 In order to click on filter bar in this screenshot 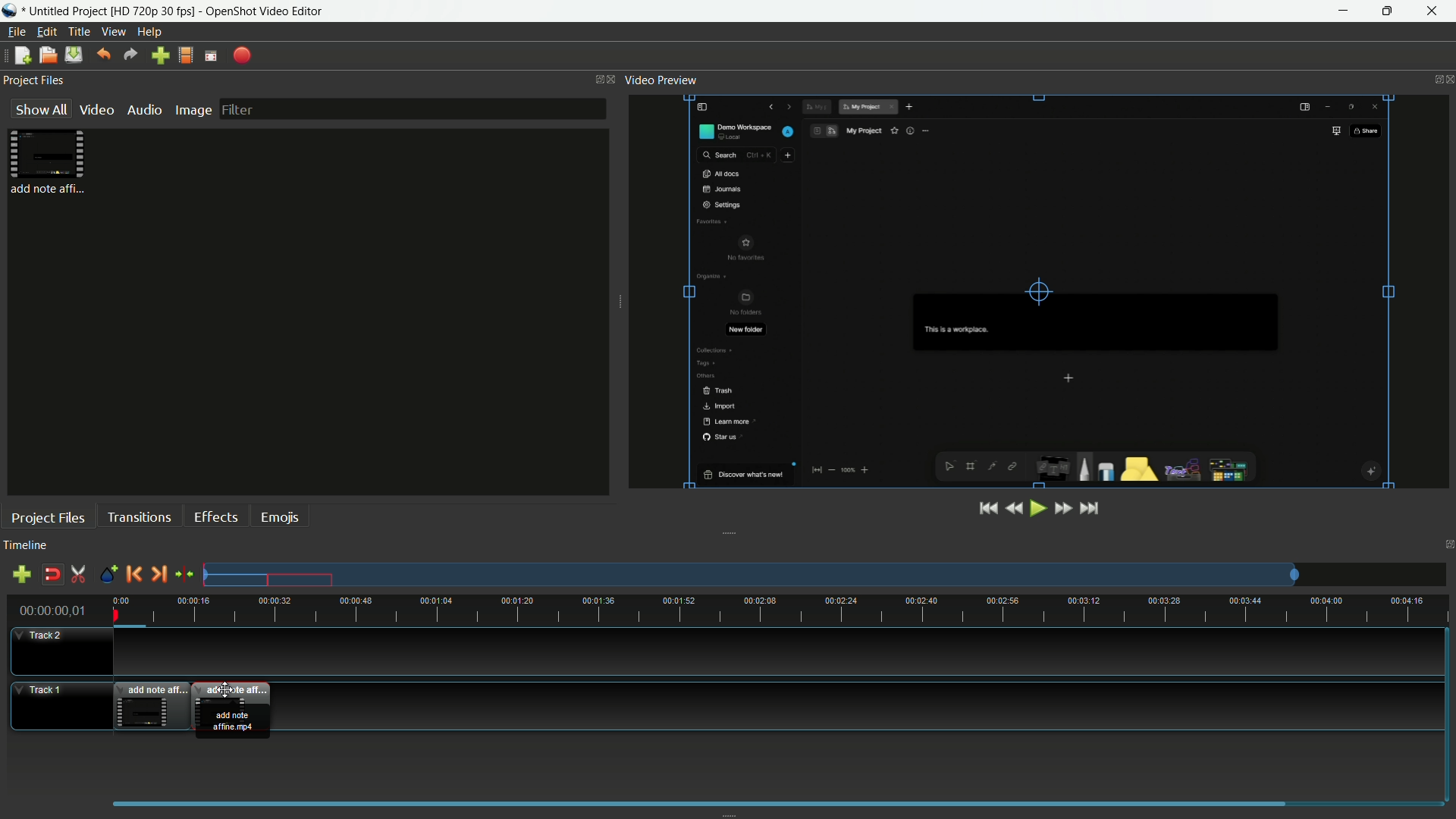, I will do `click(412, 108)`.